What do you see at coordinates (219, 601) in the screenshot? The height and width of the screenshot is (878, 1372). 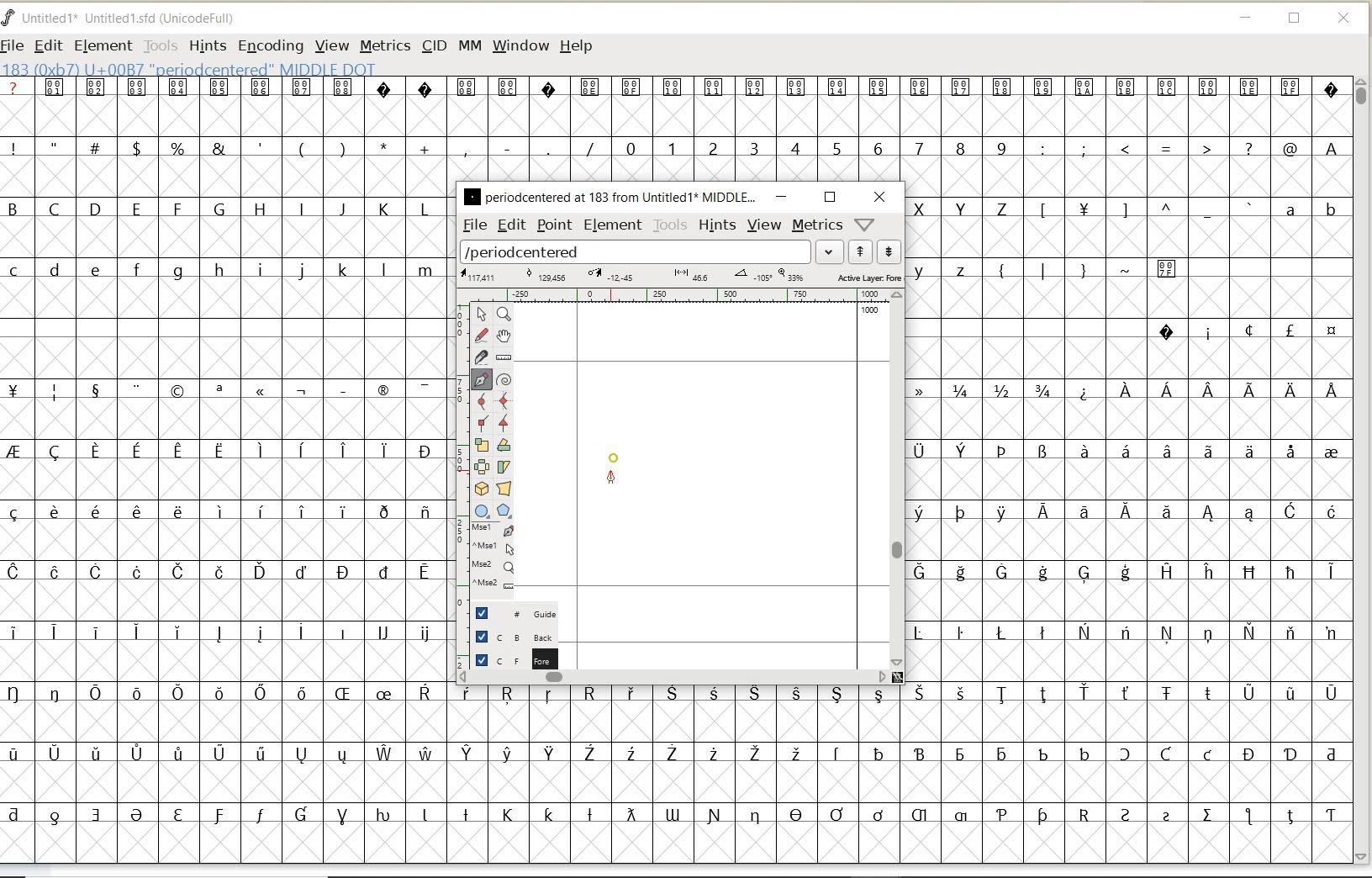 I see `special characters` at bounding box center [219, 601].